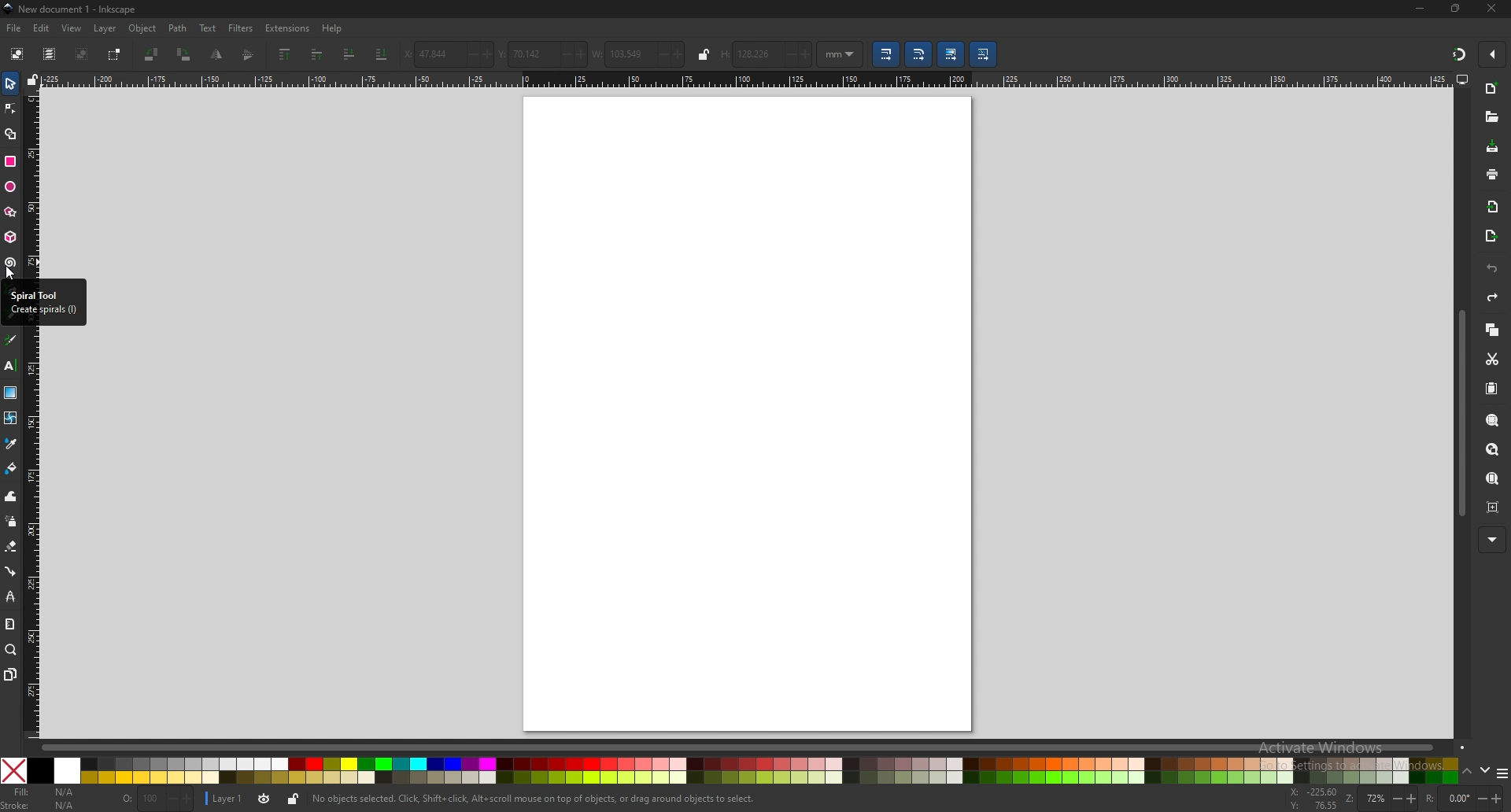  What do you see at coordinates (1492, 268) in the screenshot?
I see `undo` at bounding box center [1492, 268].